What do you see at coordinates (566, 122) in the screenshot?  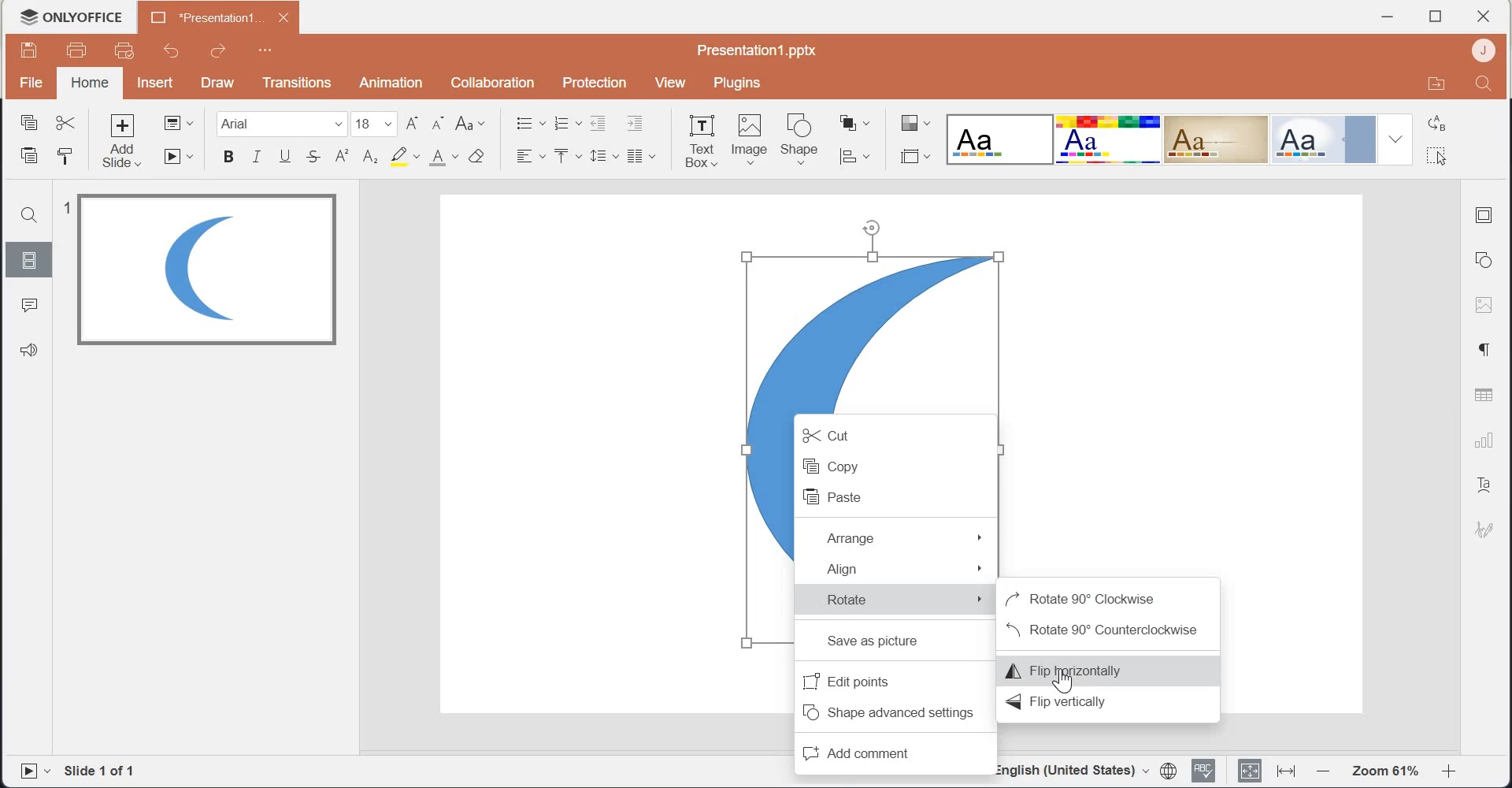 I see `Numbering` at bounding box center [566, 122].